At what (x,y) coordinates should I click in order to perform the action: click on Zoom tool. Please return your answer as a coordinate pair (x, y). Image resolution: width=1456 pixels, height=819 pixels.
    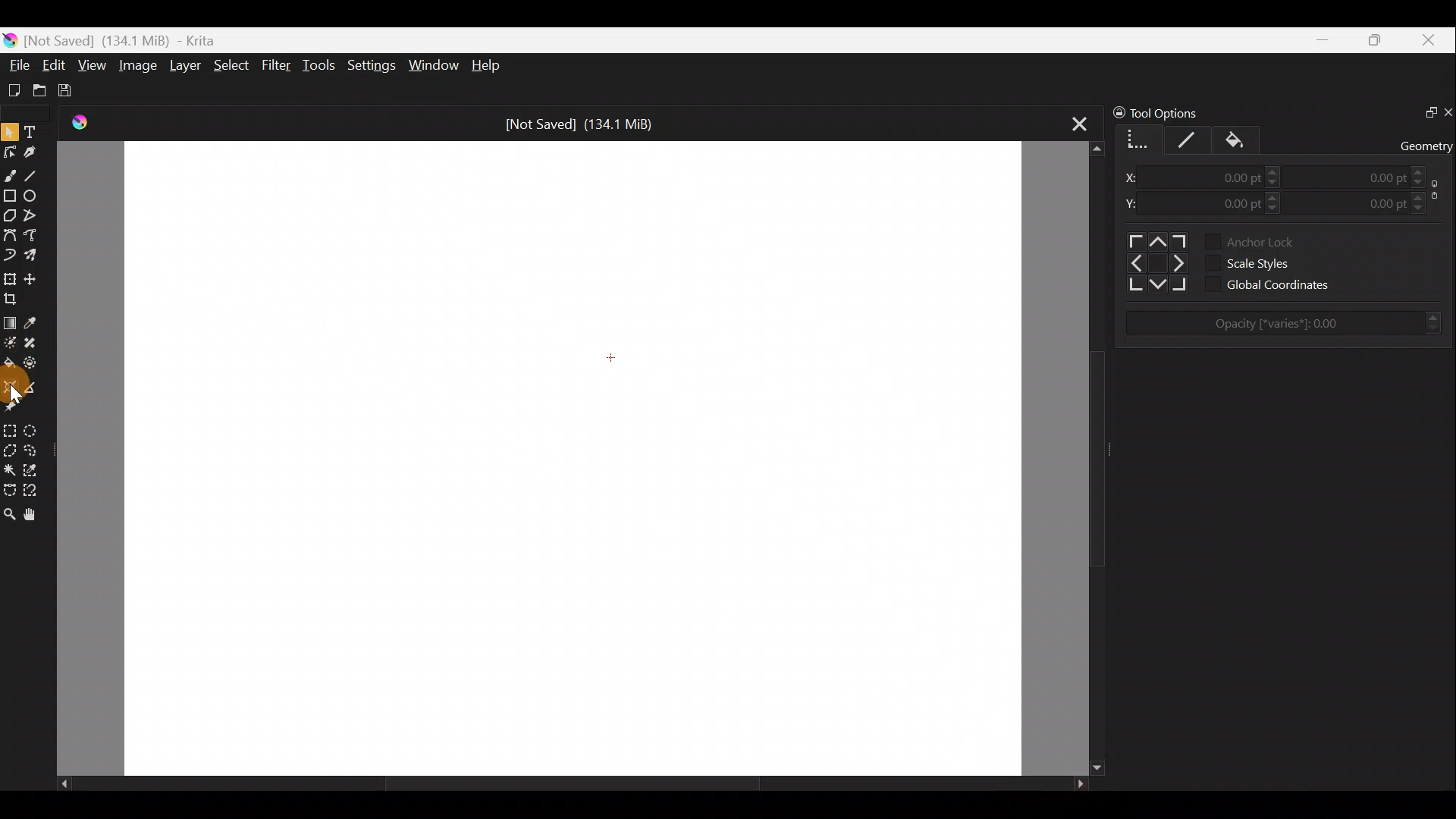
    Looking at the image, I should click on (9, 513).